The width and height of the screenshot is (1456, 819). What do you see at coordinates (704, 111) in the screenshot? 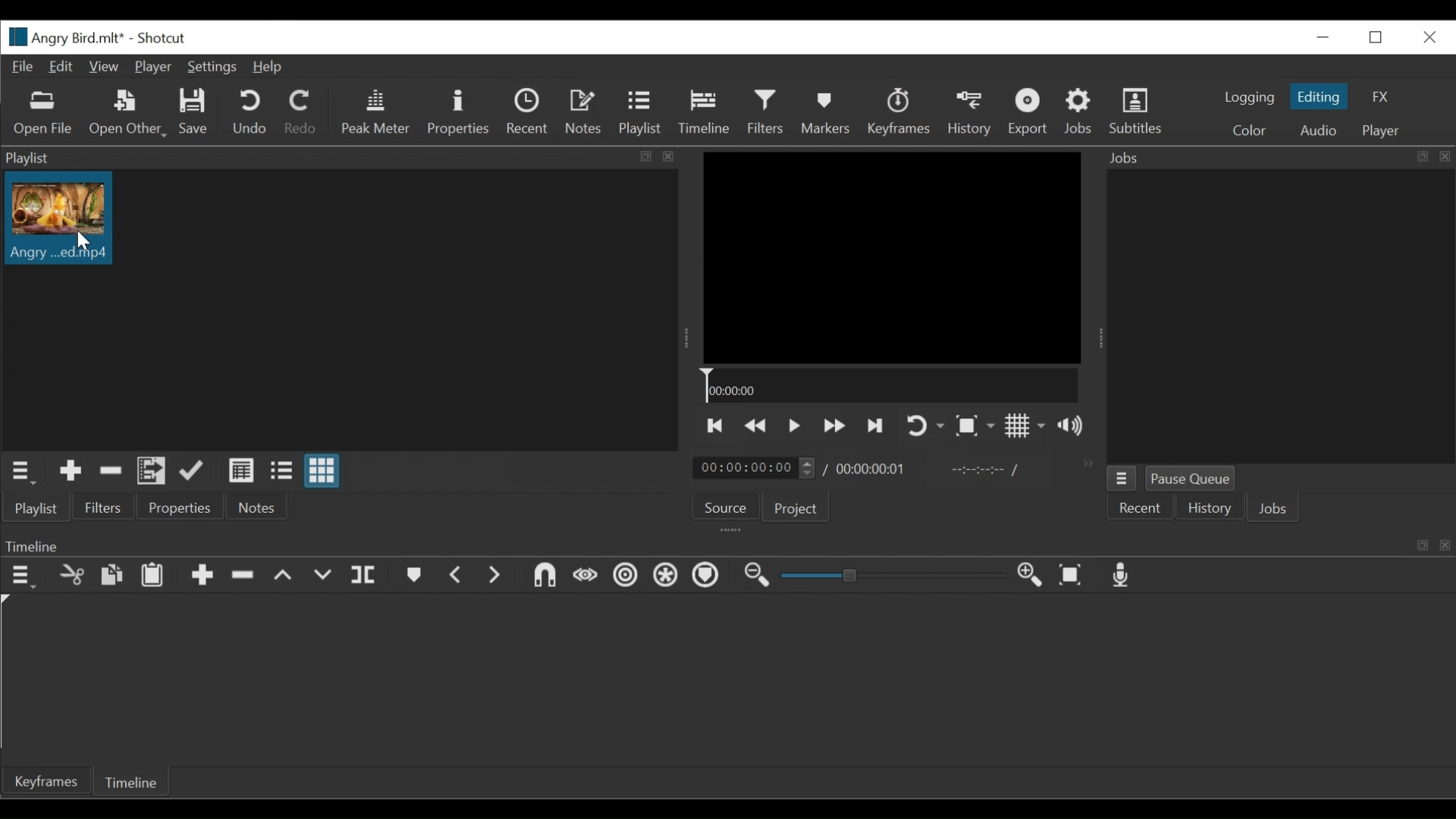
I see `Timeline` at bounding box center [704, 111].